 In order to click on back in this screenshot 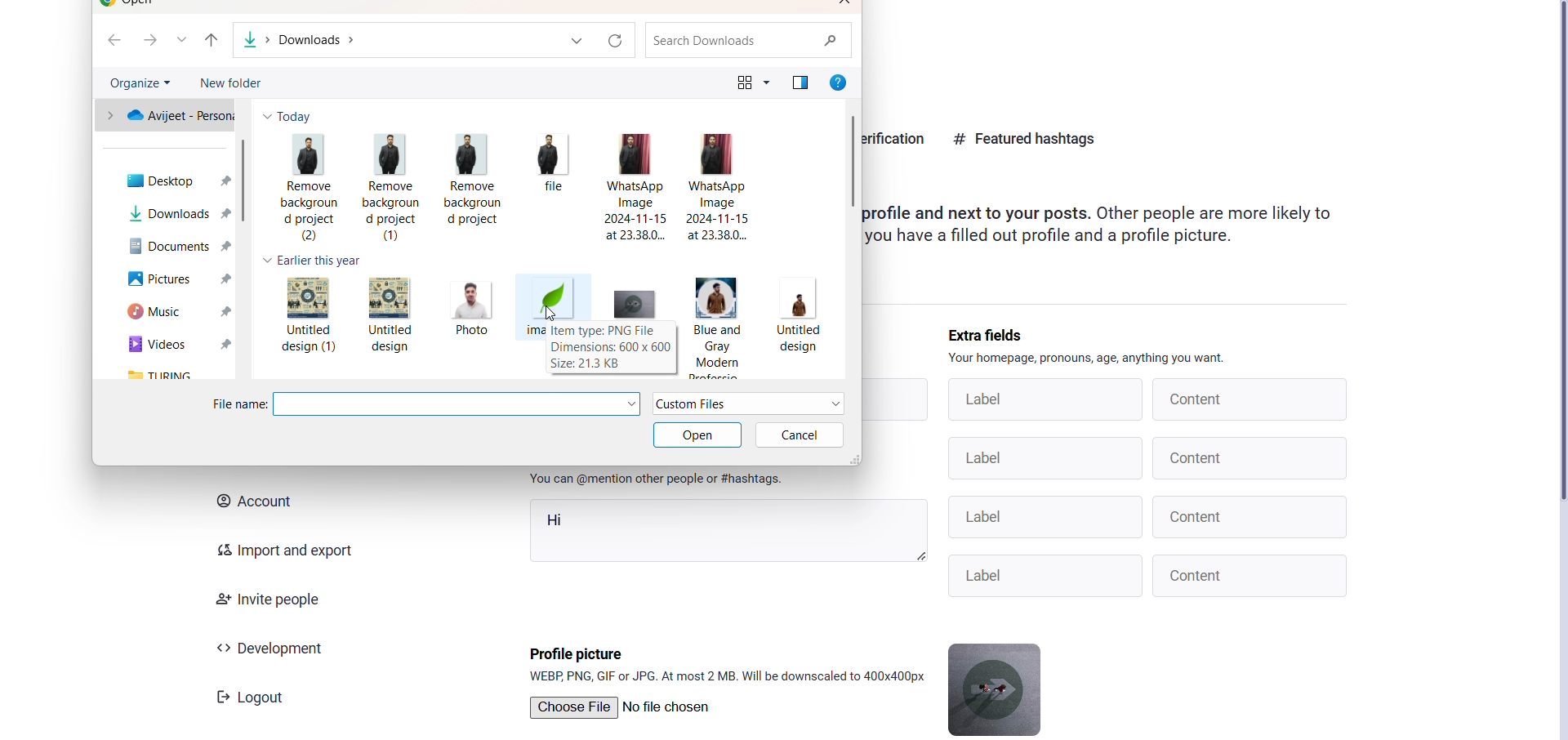, I will do `click(113, 40)`.